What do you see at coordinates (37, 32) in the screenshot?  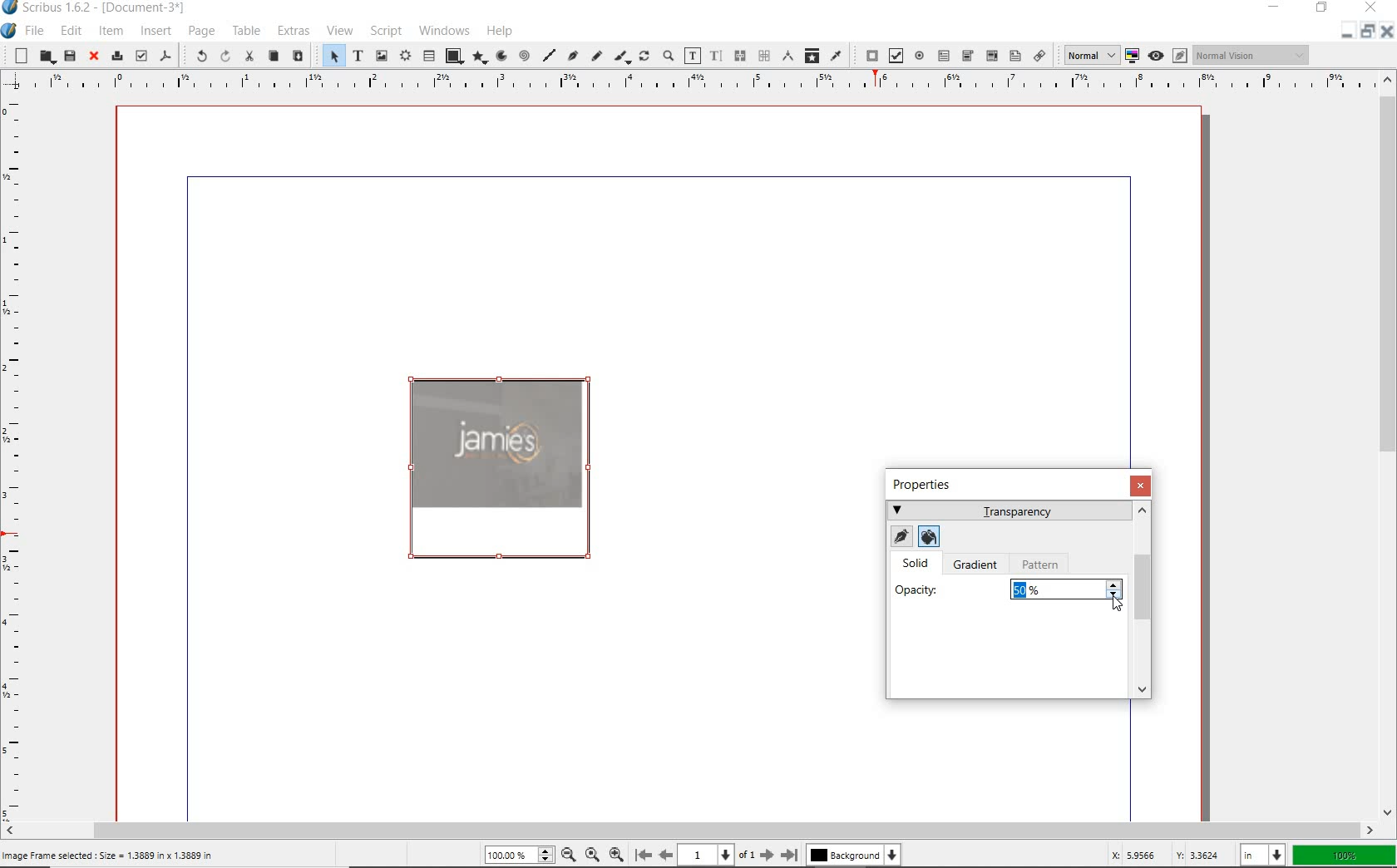 I see `FILE` at bounding box center [37, 32].